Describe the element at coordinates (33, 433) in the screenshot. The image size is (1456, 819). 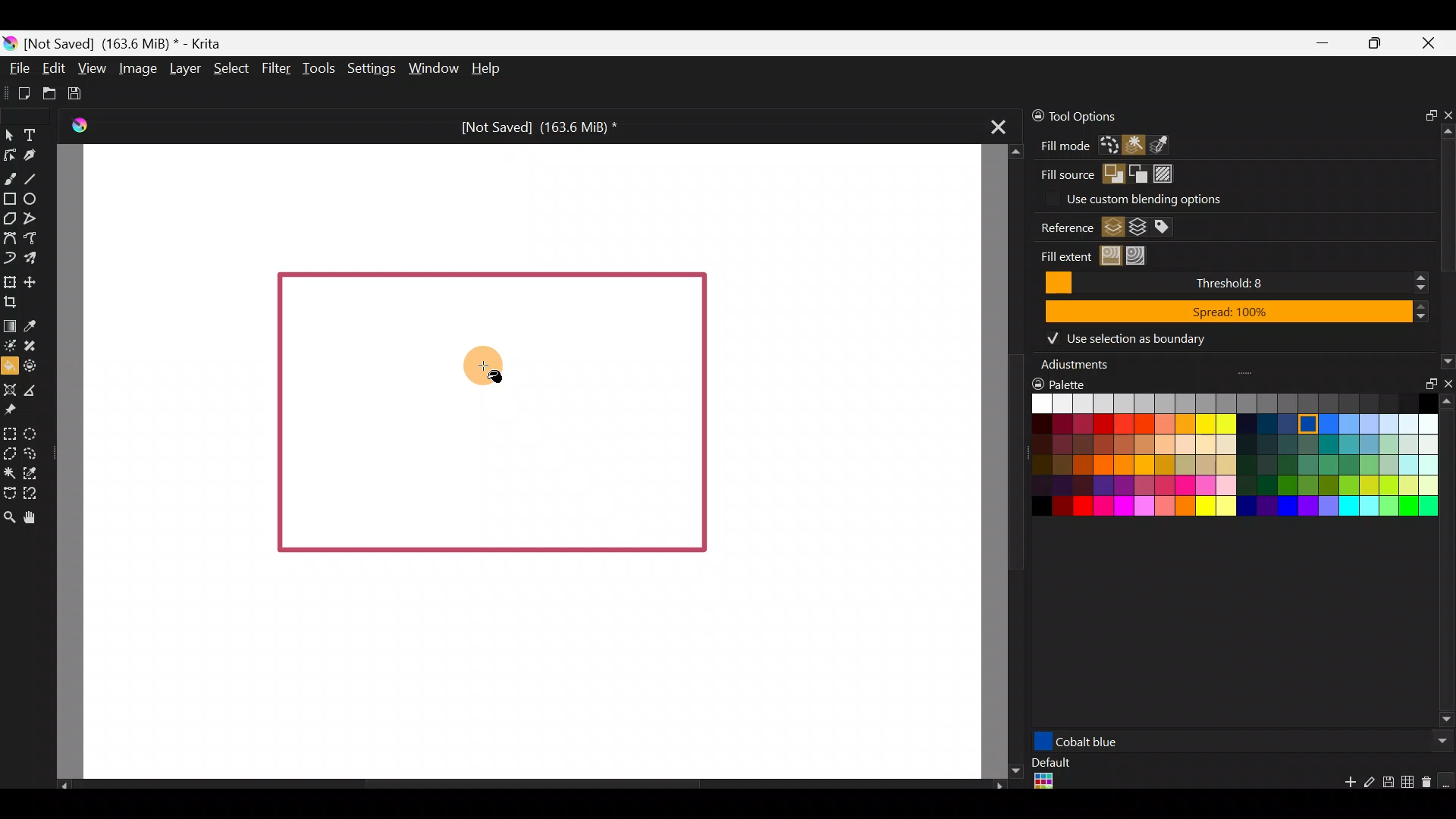
I see `Elliptical selection tool` at that location.